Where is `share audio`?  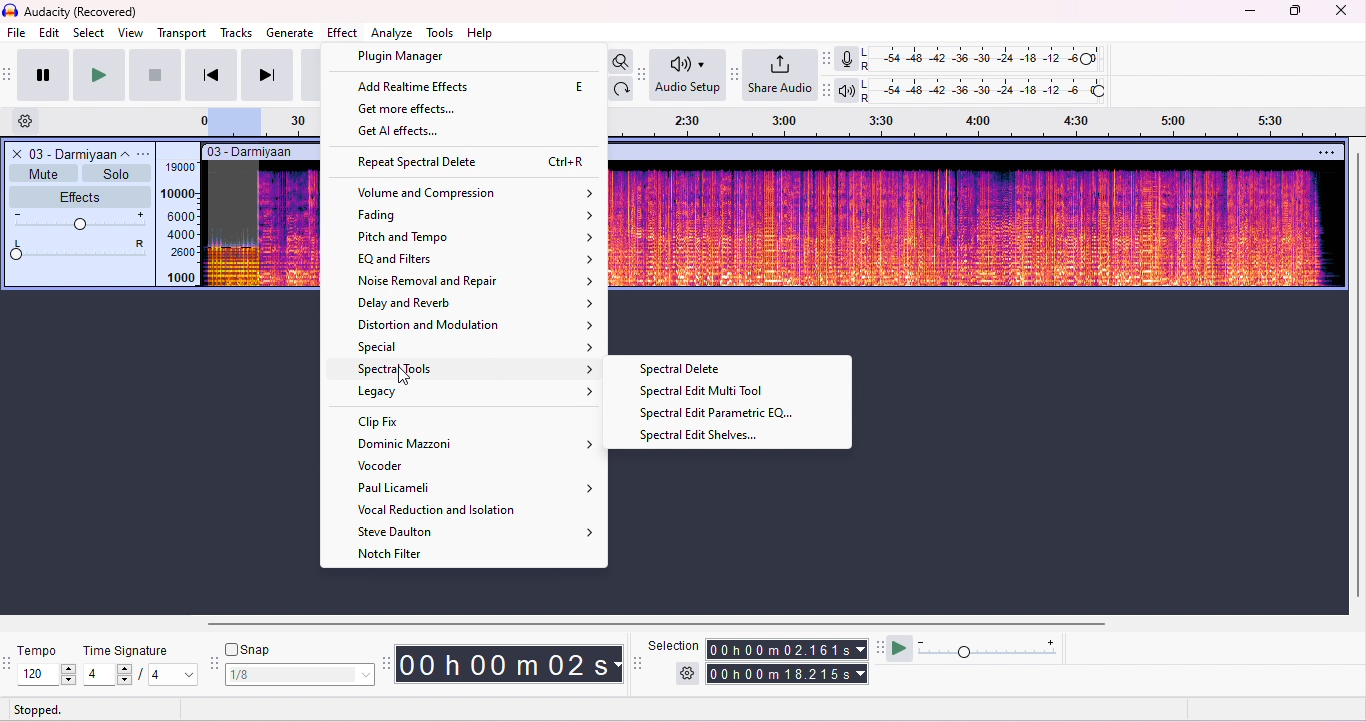 share audio is located at coordinates (779, 75).